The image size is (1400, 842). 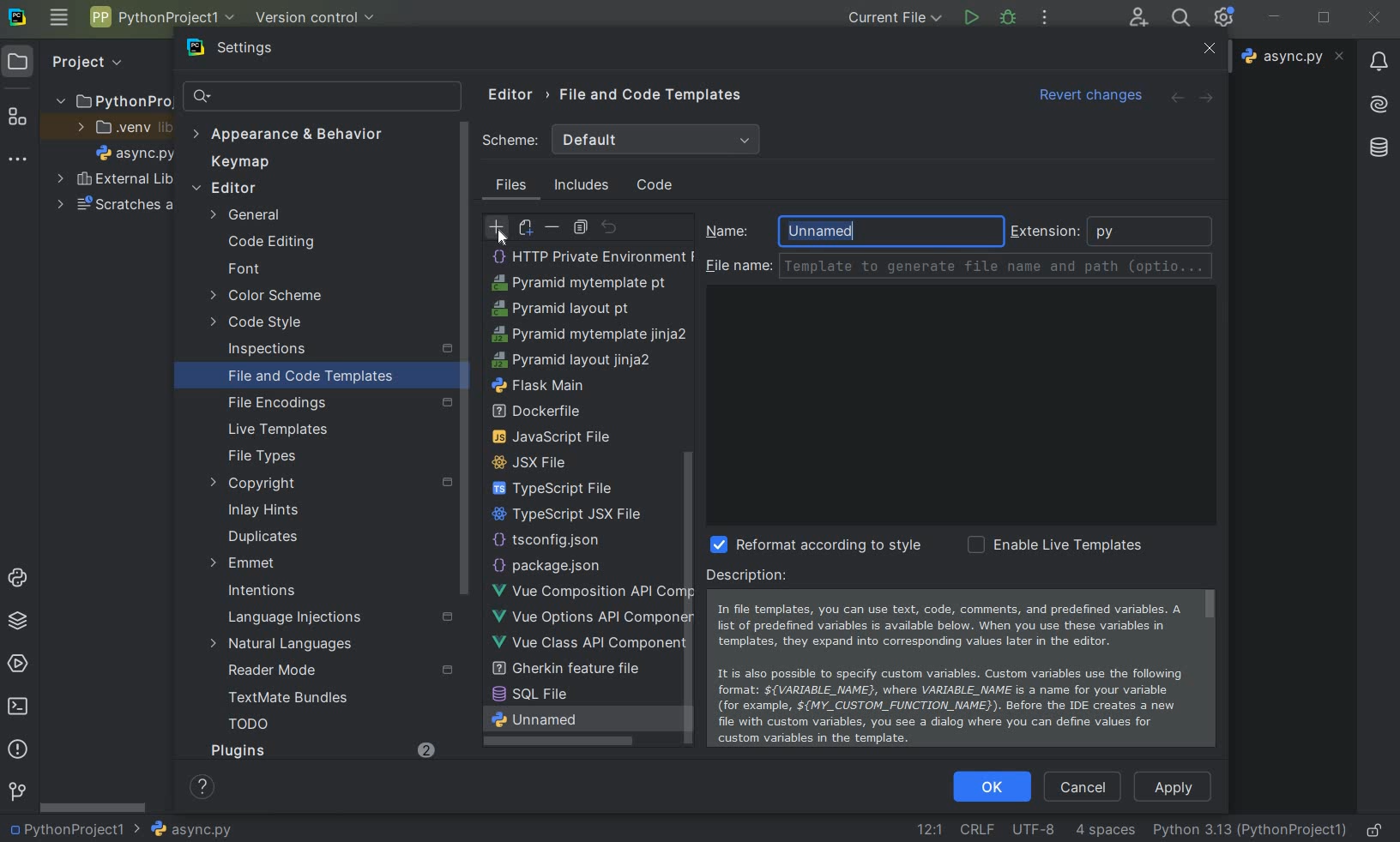 What do you see at coordinates (323, 96) in the screenshot?
I see `search settings` at bounding box center [323, 96].